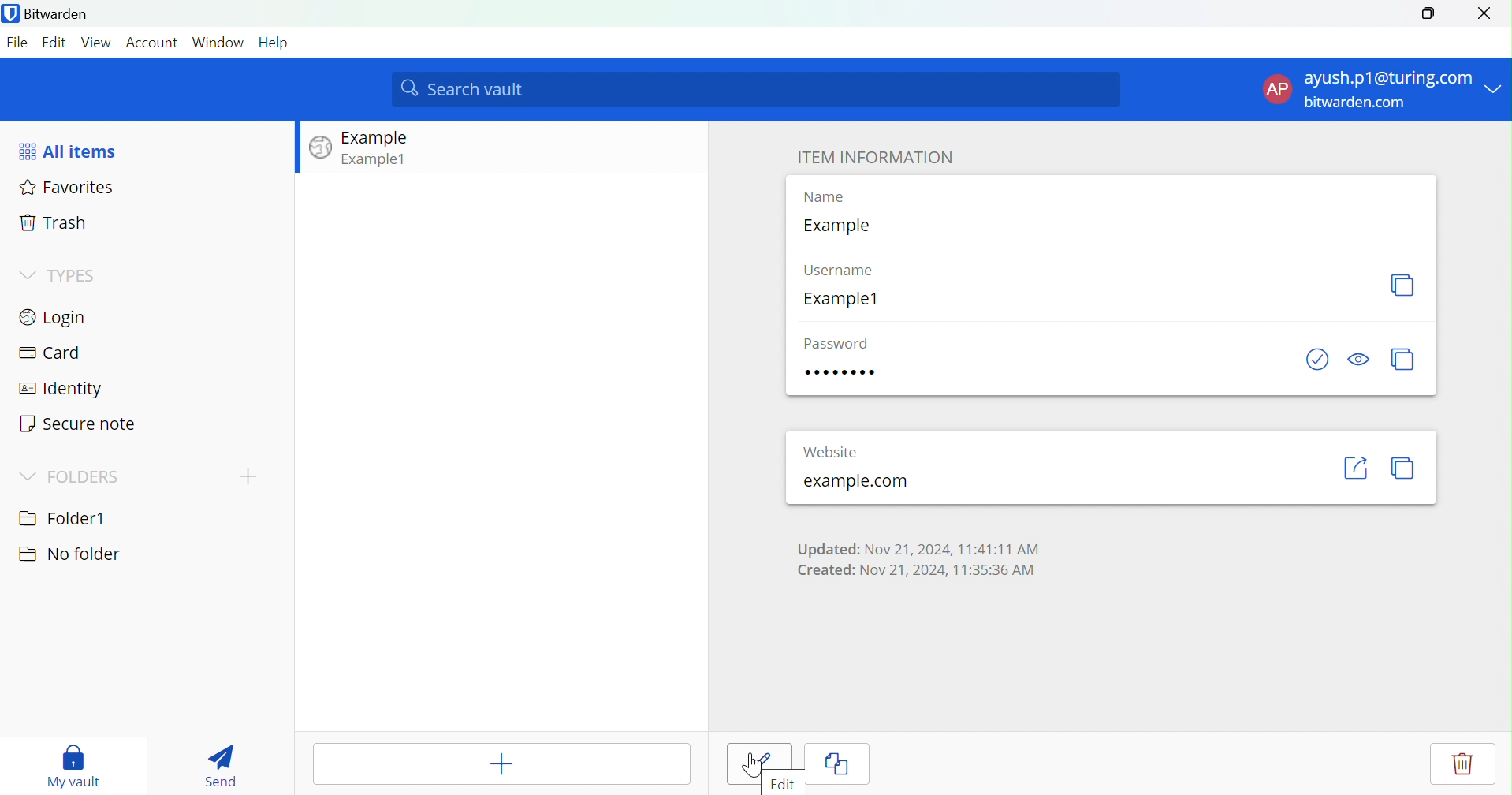  I want to click on Card, so click(50, 353).